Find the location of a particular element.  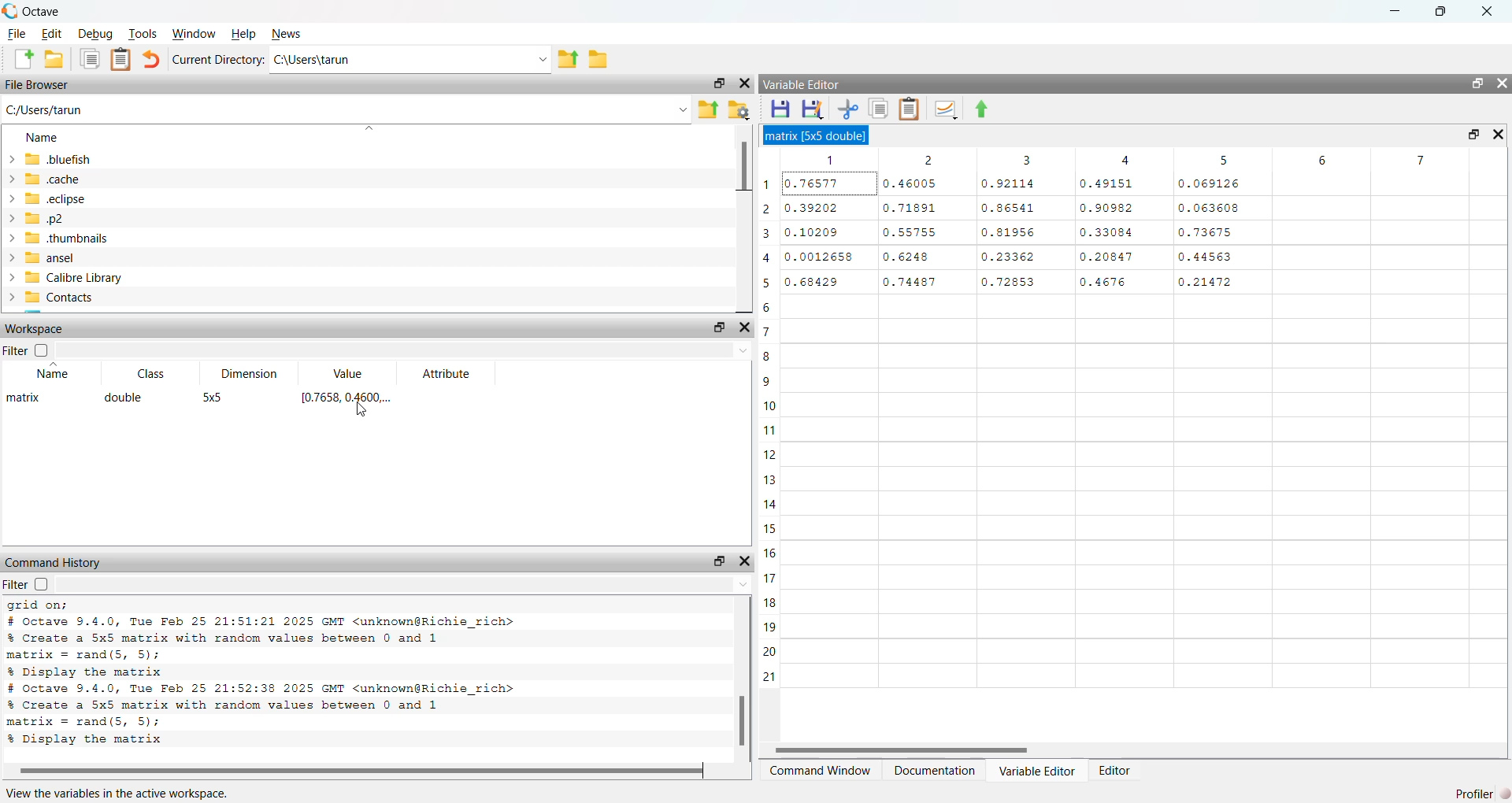

fiIter is located at coordinates (36, 584).